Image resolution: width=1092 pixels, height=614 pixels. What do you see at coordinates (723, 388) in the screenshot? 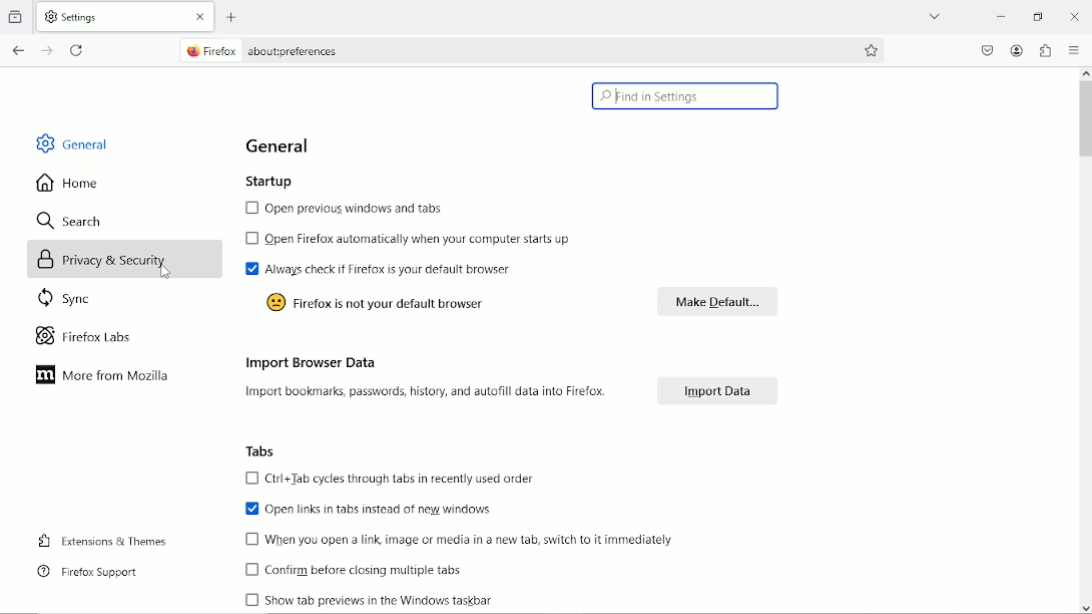
I see `import data` at bounding box center [723, 388].